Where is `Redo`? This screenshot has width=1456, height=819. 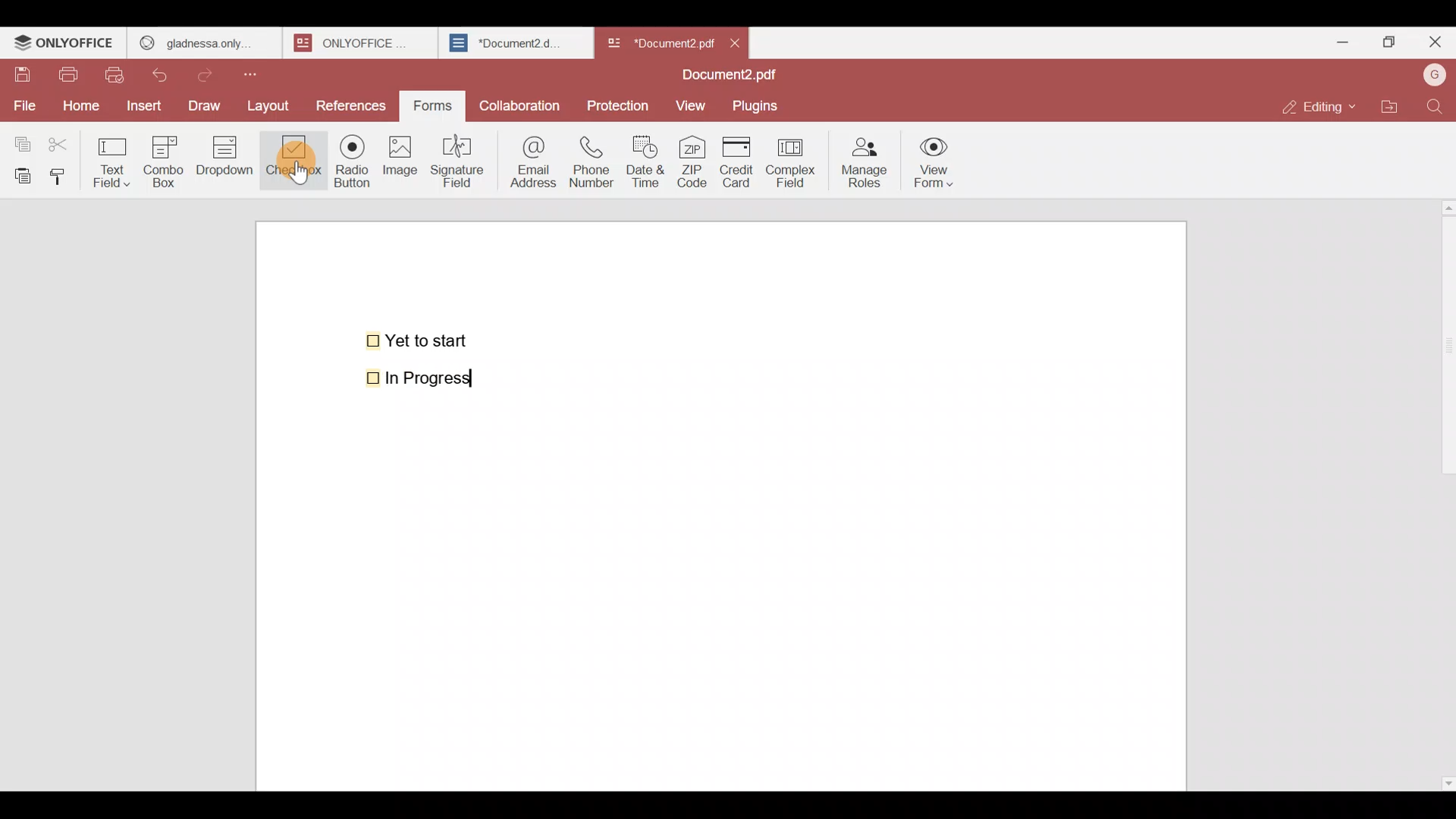
Redo is located at coordinates (212, 71).